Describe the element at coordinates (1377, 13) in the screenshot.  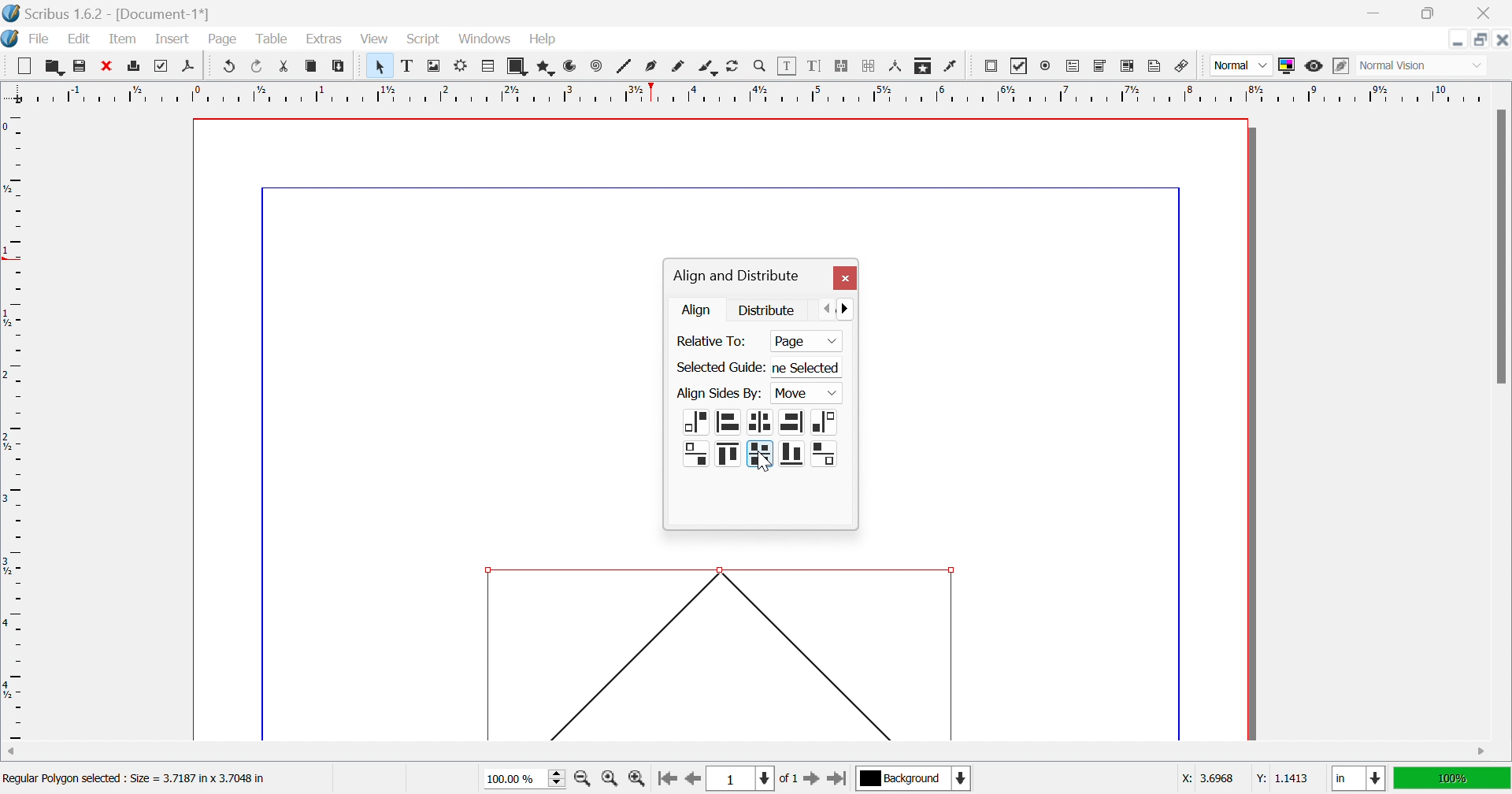
I see `Minimize` at that location.